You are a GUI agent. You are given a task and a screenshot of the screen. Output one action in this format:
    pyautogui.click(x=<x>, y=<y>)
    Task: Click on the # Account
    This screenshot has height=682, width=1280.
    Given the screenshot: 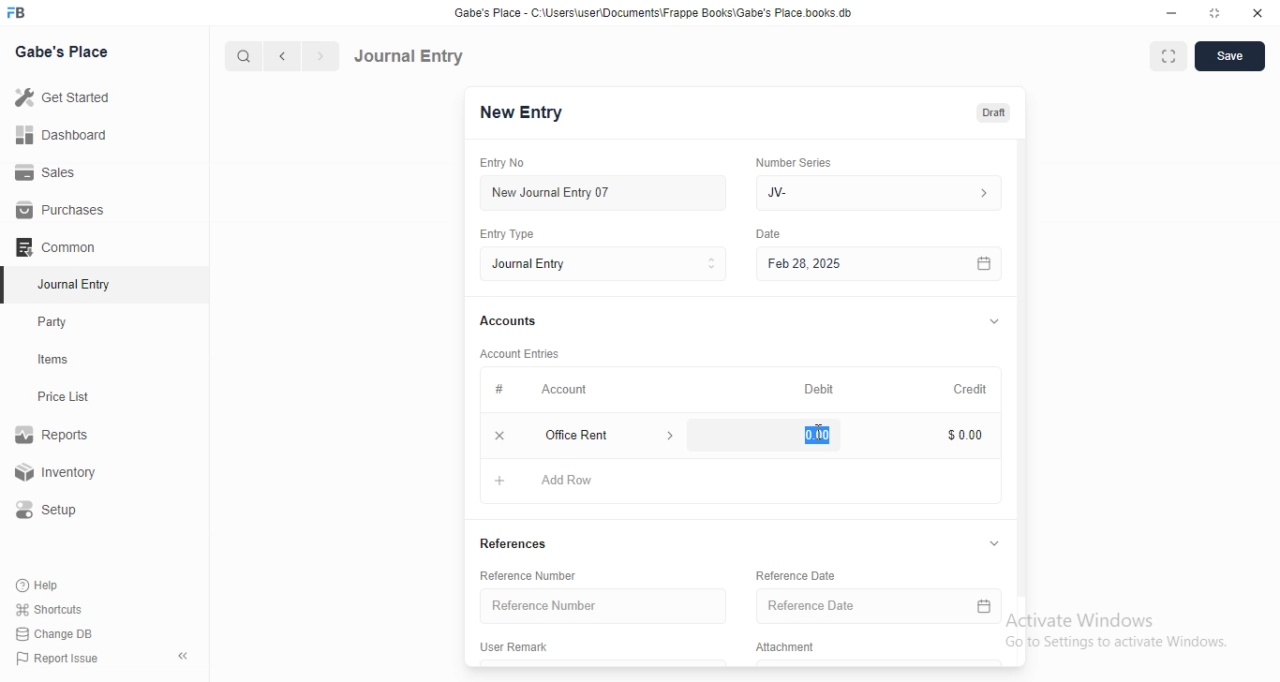 What is the action you would take?
    pyautogui.click(x=538, y=390)
    